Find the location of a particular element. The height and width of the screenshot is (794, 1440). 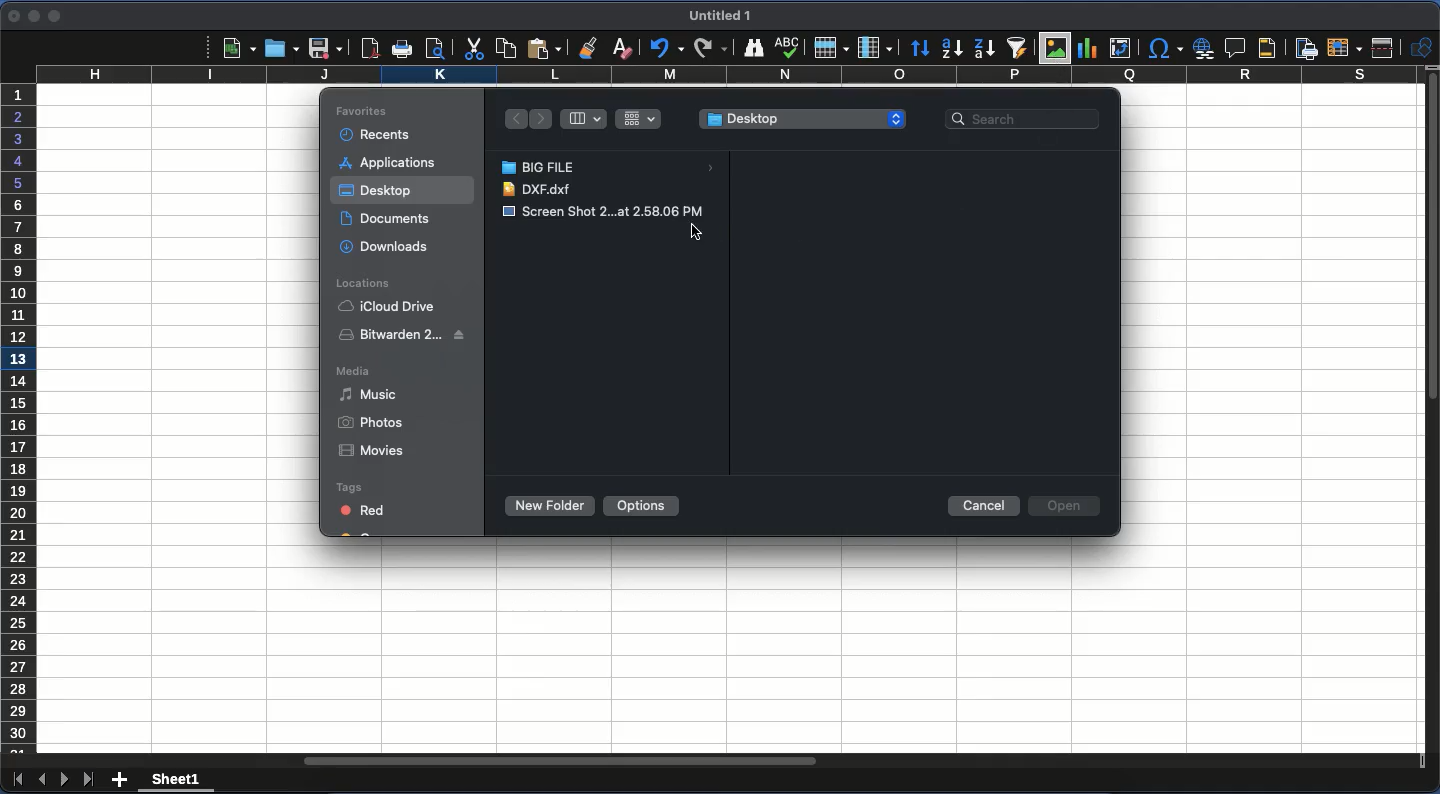

row is located at coordinates (829, 49).